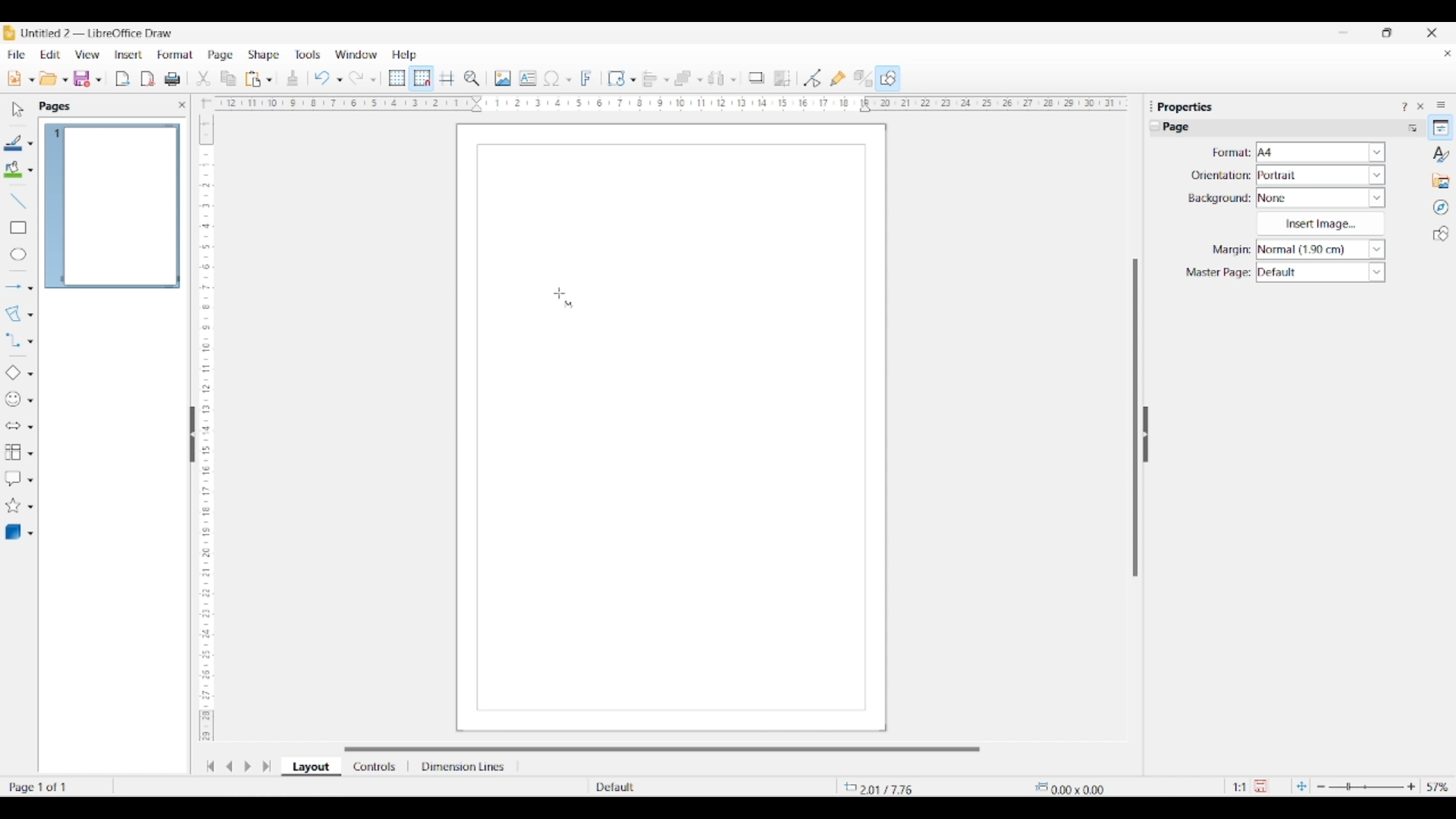 This screenshot has height=819, width=1456. What do you see at coordinates (1442, 154) in the screenshot?
I see `Styles` at bounding box center [1442, 154].